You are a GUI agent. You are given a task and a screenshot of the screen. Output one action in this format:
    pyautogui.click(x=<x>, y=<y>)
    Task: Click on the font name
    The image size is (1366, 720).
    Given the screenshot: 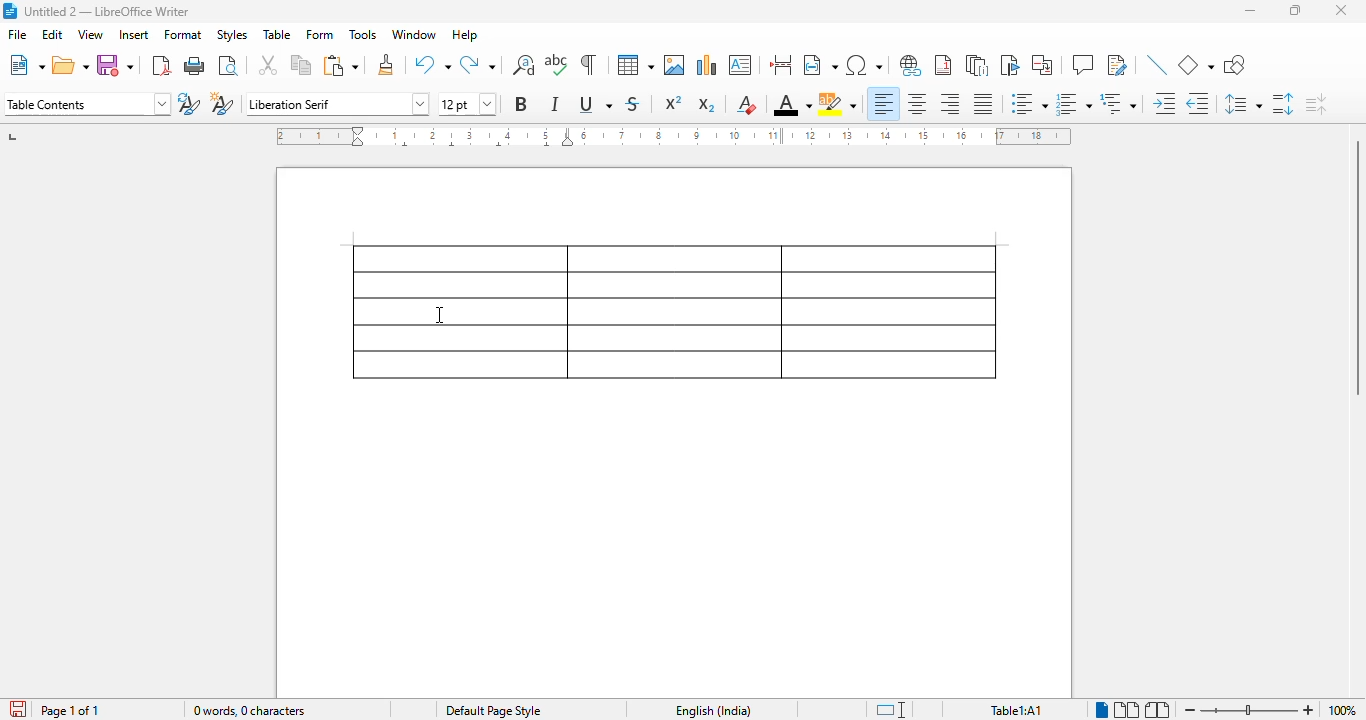 What is the action you would take?
    pyautogui.click(x=337, y=105)
    